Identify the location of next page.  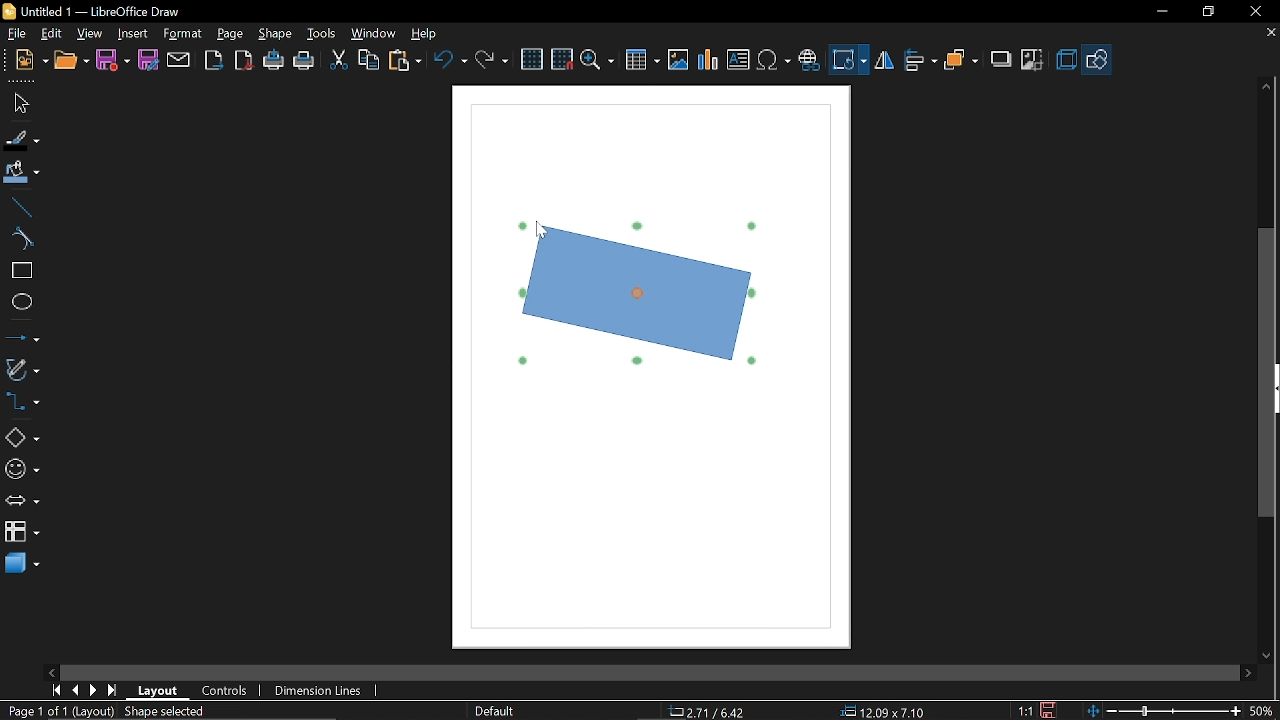
(94, 691).